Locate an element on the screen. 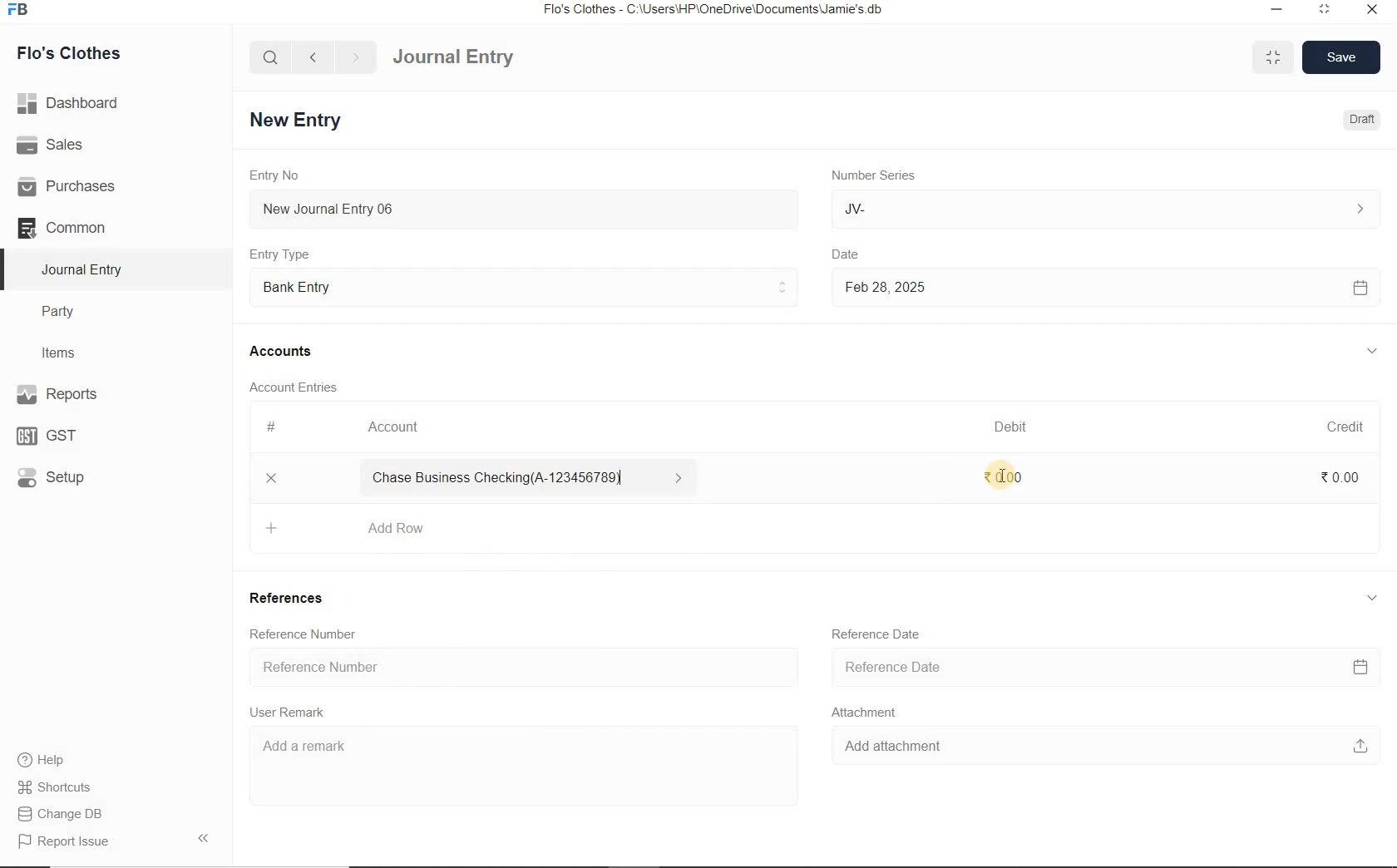 The image size is (1397, 868). Items is located at coordinates (67, 351).